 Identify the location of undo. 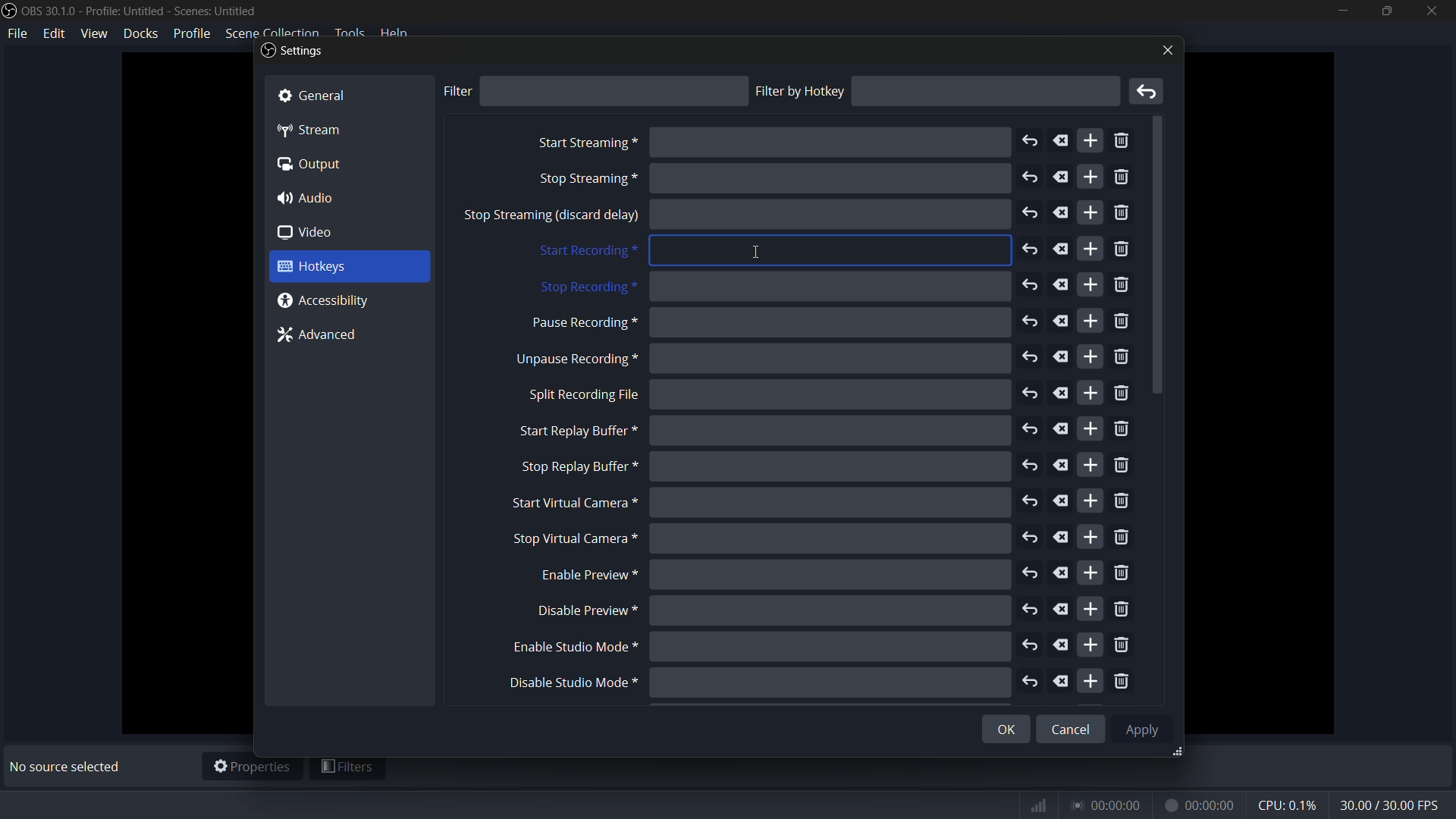
(1031, 285).